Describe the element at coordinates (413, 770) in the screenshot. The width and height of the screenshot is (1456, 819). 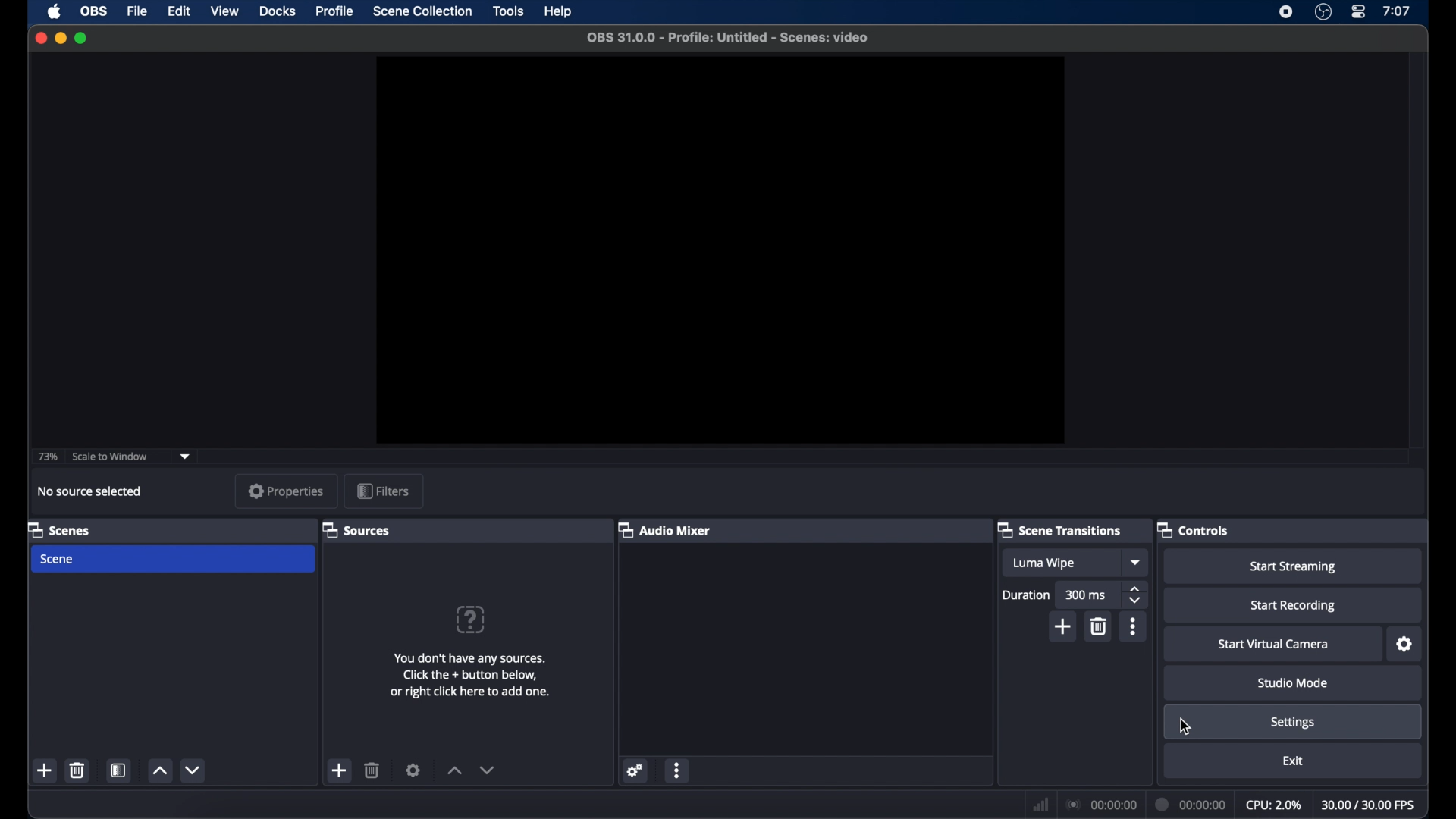
I see `settings` at that location.